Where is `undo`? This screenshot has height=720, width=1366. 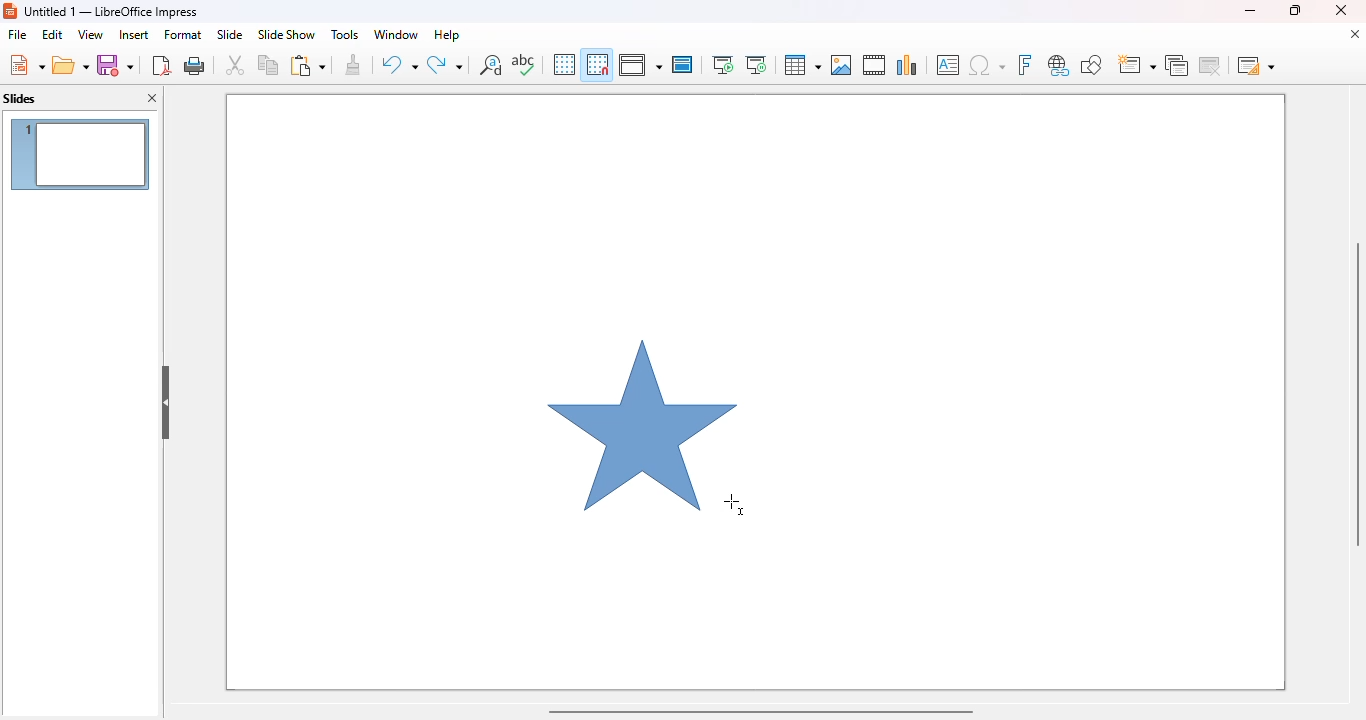 undo is located at coordinates (399, 65).